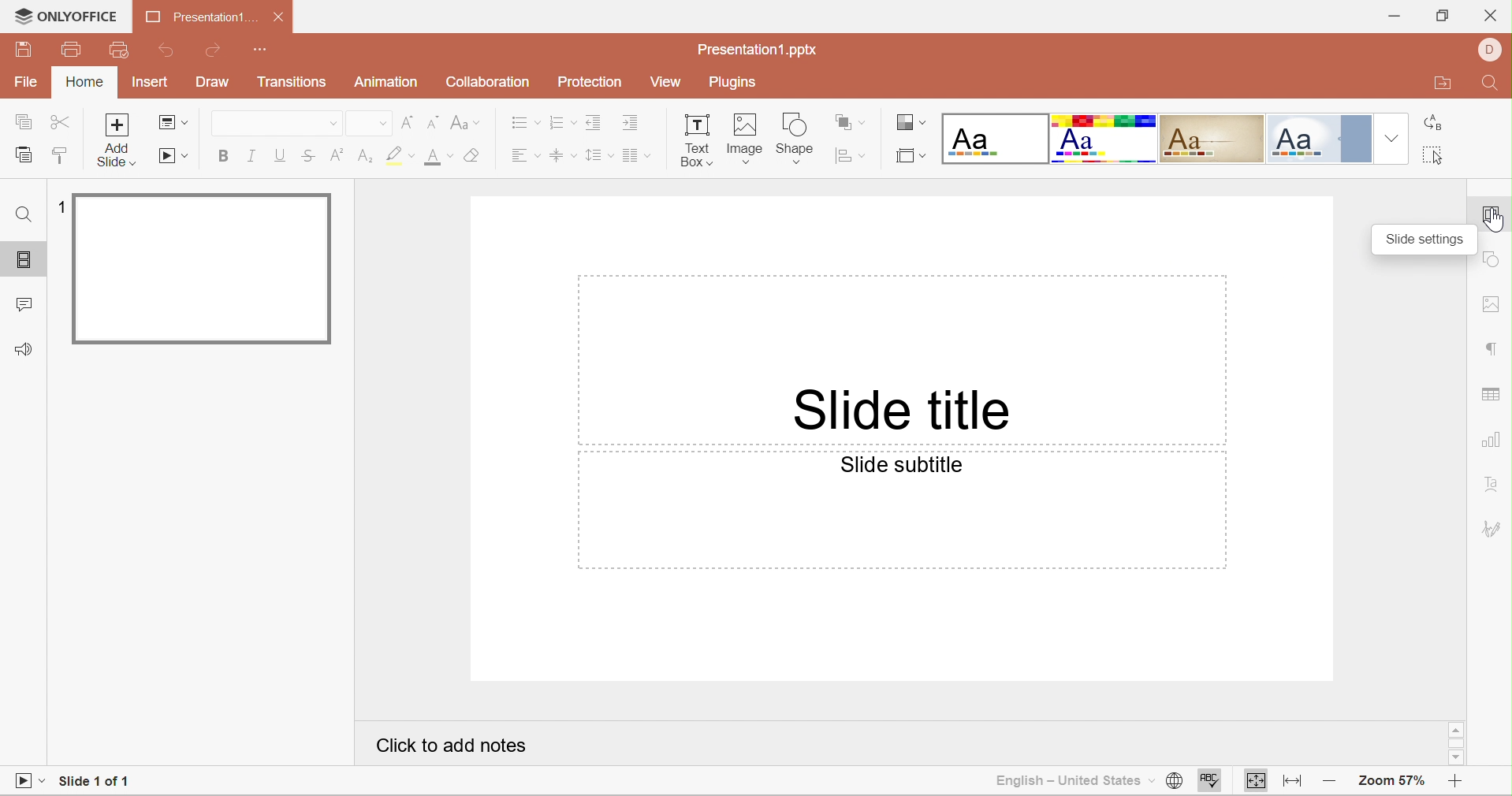  I want to click on Undo, so click(169, 52).